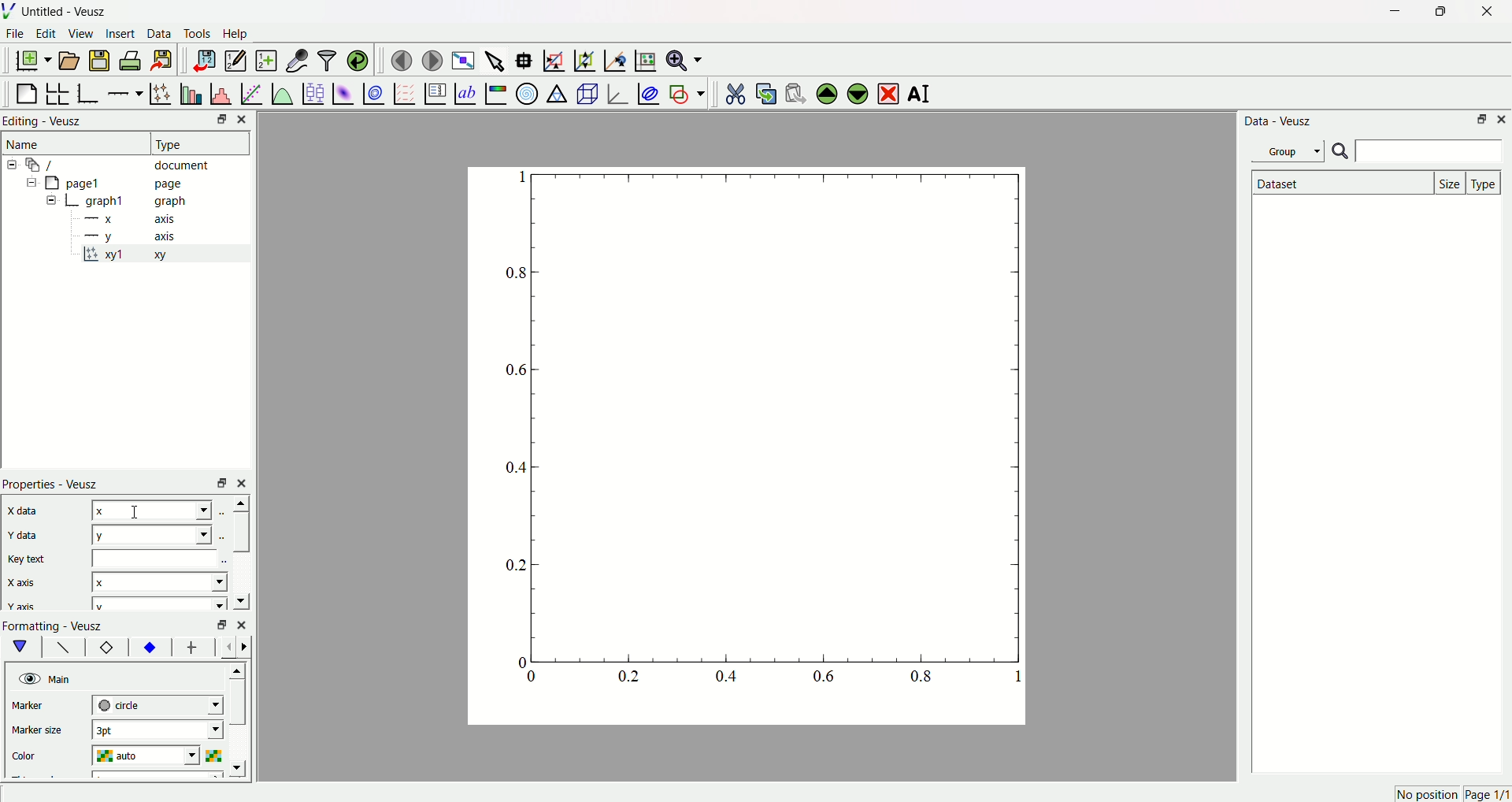 This screenshot has height=802, width=1512. What do you see at coordinates (102, 60) in the screenshot?
I see `save document` at bounding box center [102, 60].